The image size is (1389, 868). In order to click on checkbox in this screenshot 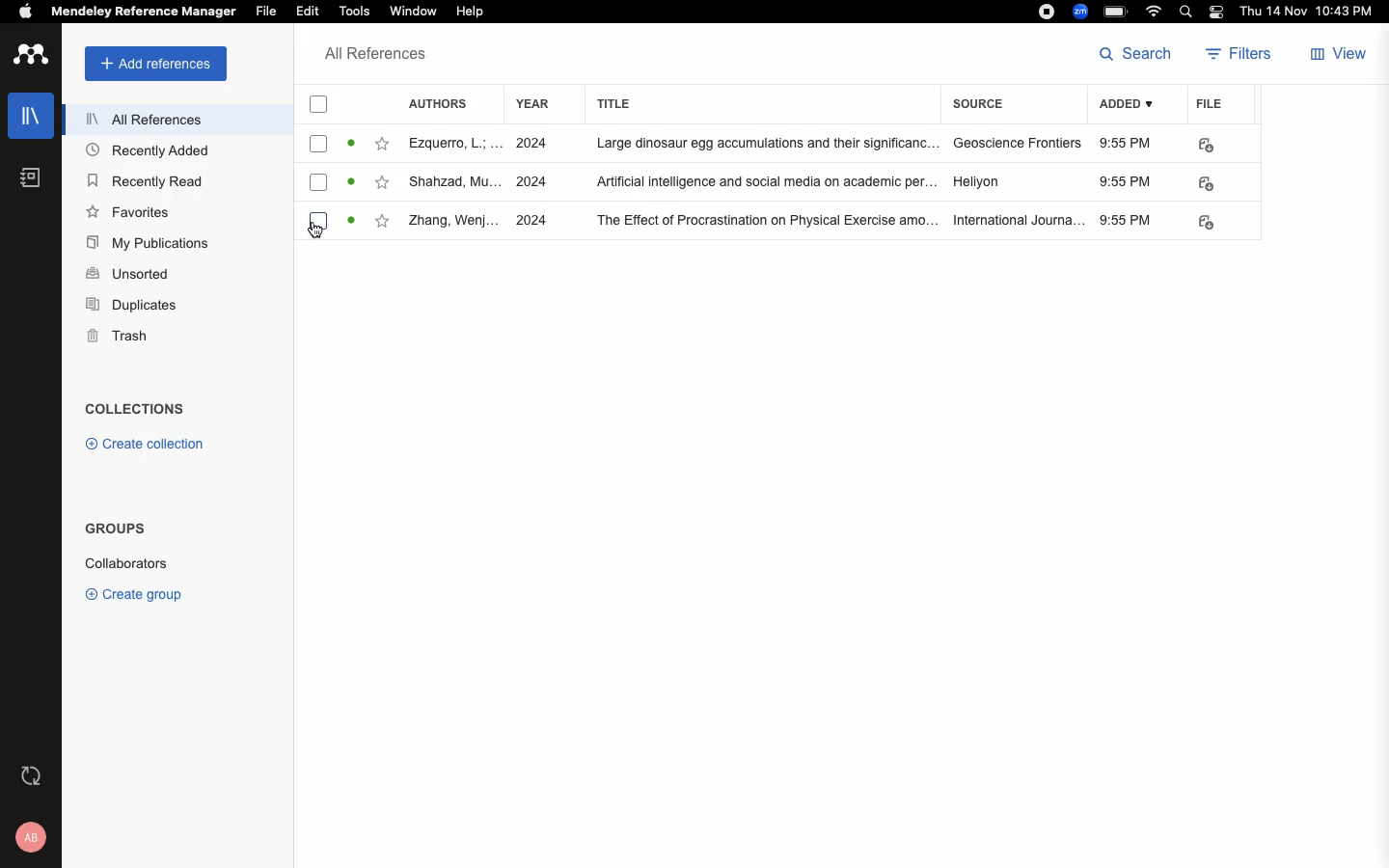, I will do `click(319, 223)`.